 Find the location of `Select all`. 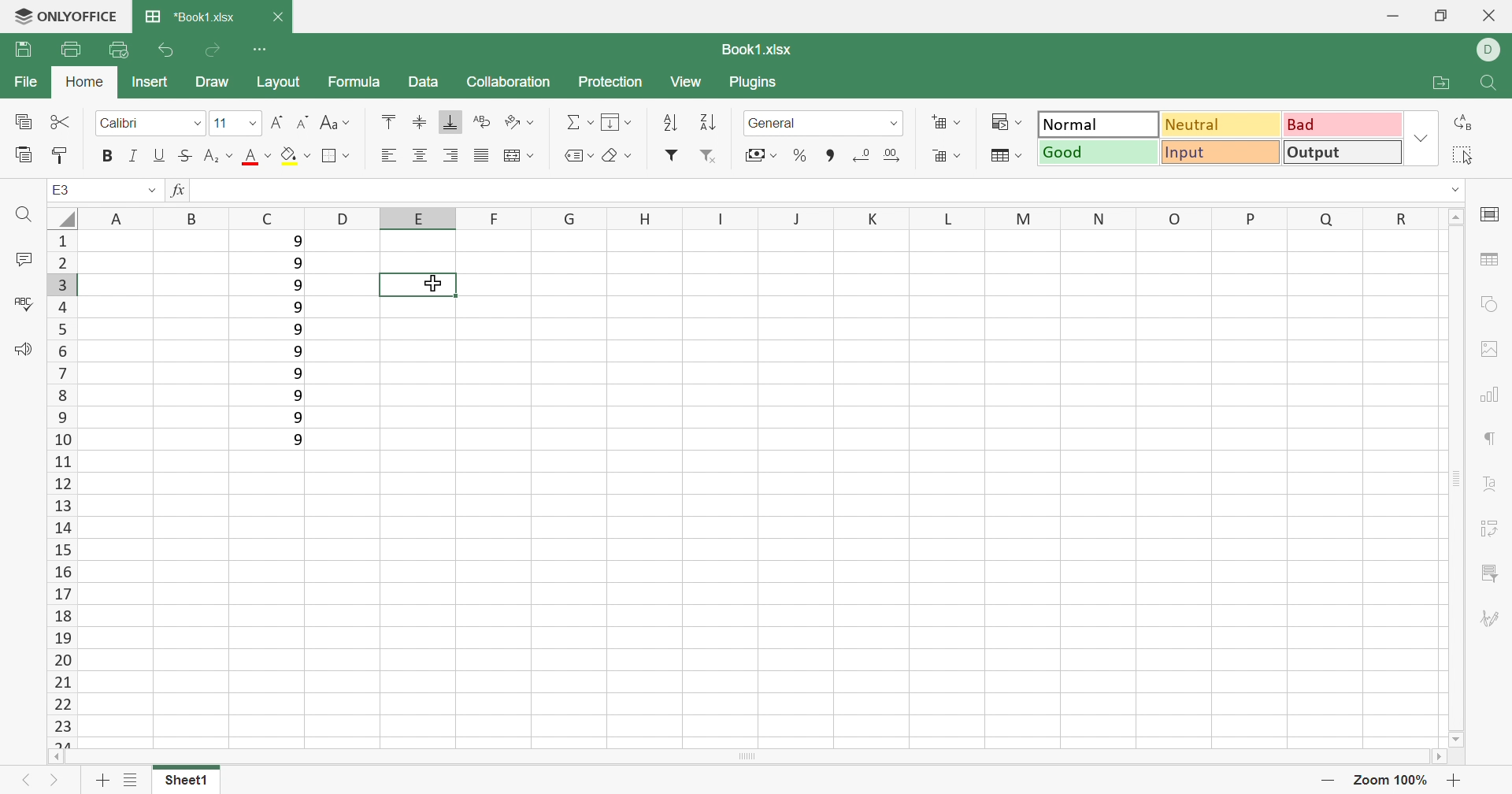

Select all is located at coordinates (1462, 153).